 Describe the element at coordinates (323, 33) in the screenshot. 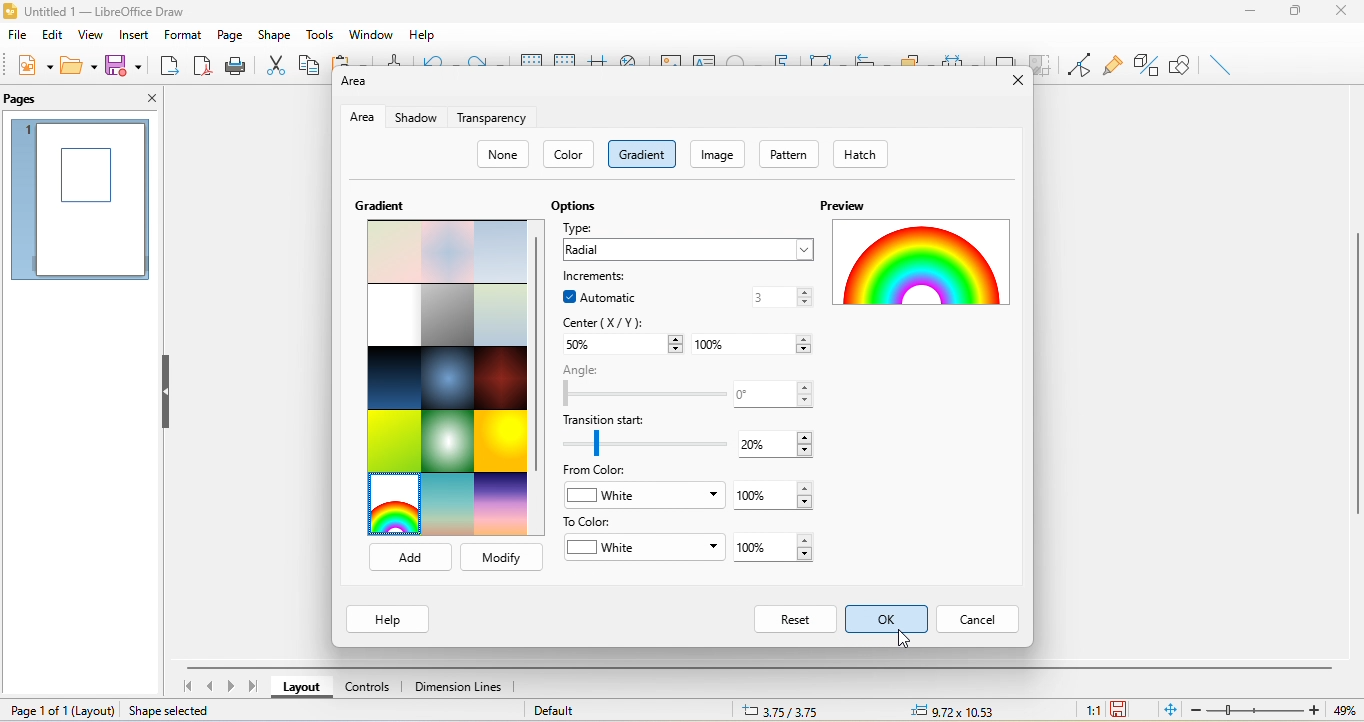

I see `tools` at that location.